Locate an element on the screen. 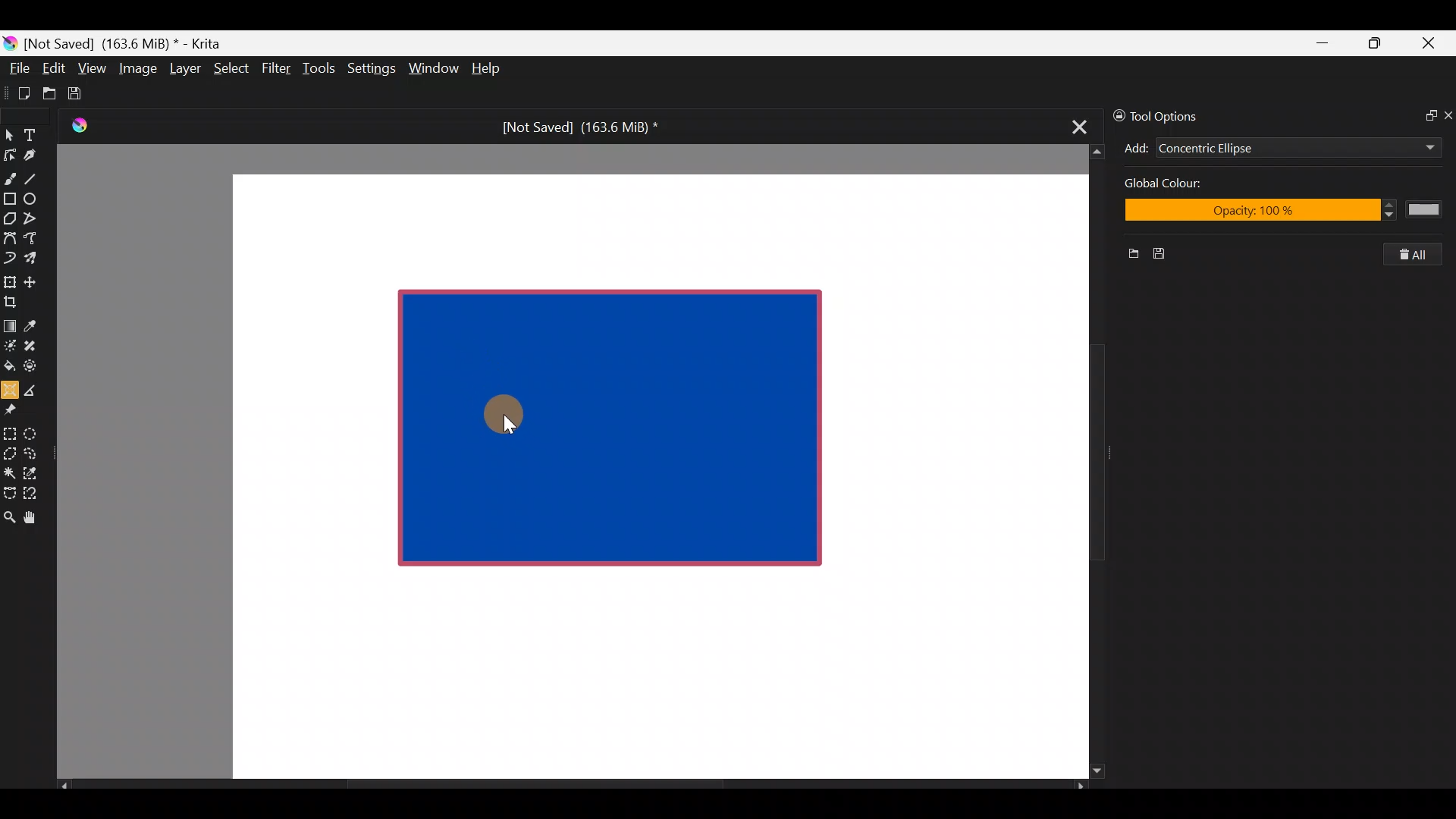 Image resolution: width=1456 pixels, height=819 pixels. Close docker is located at coordinates (1447, 115).